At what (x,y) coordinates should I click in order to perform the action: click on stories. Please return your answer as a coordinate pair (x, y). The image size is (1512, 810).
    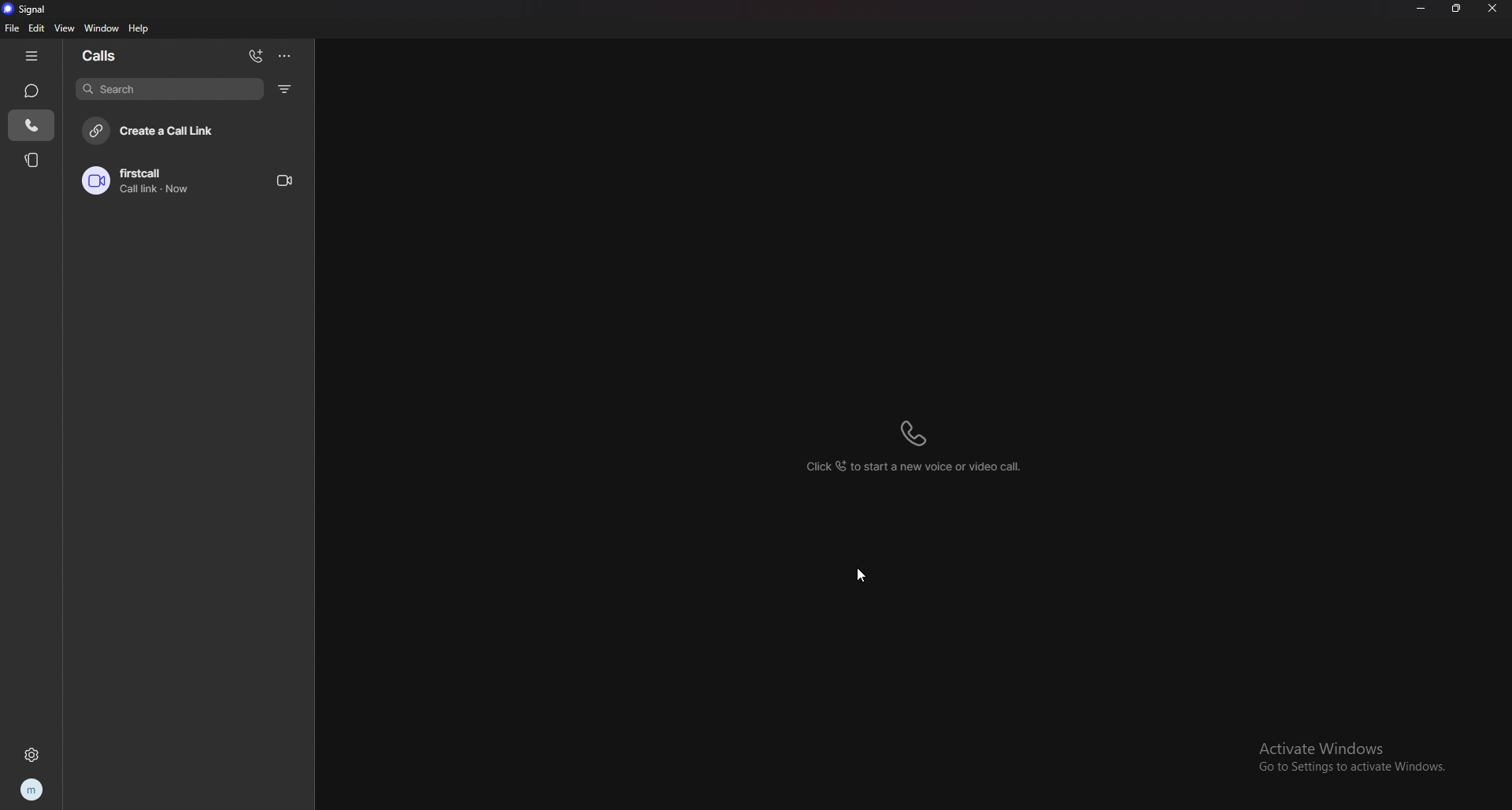
    Looking at the image, I should click on (33, 159).